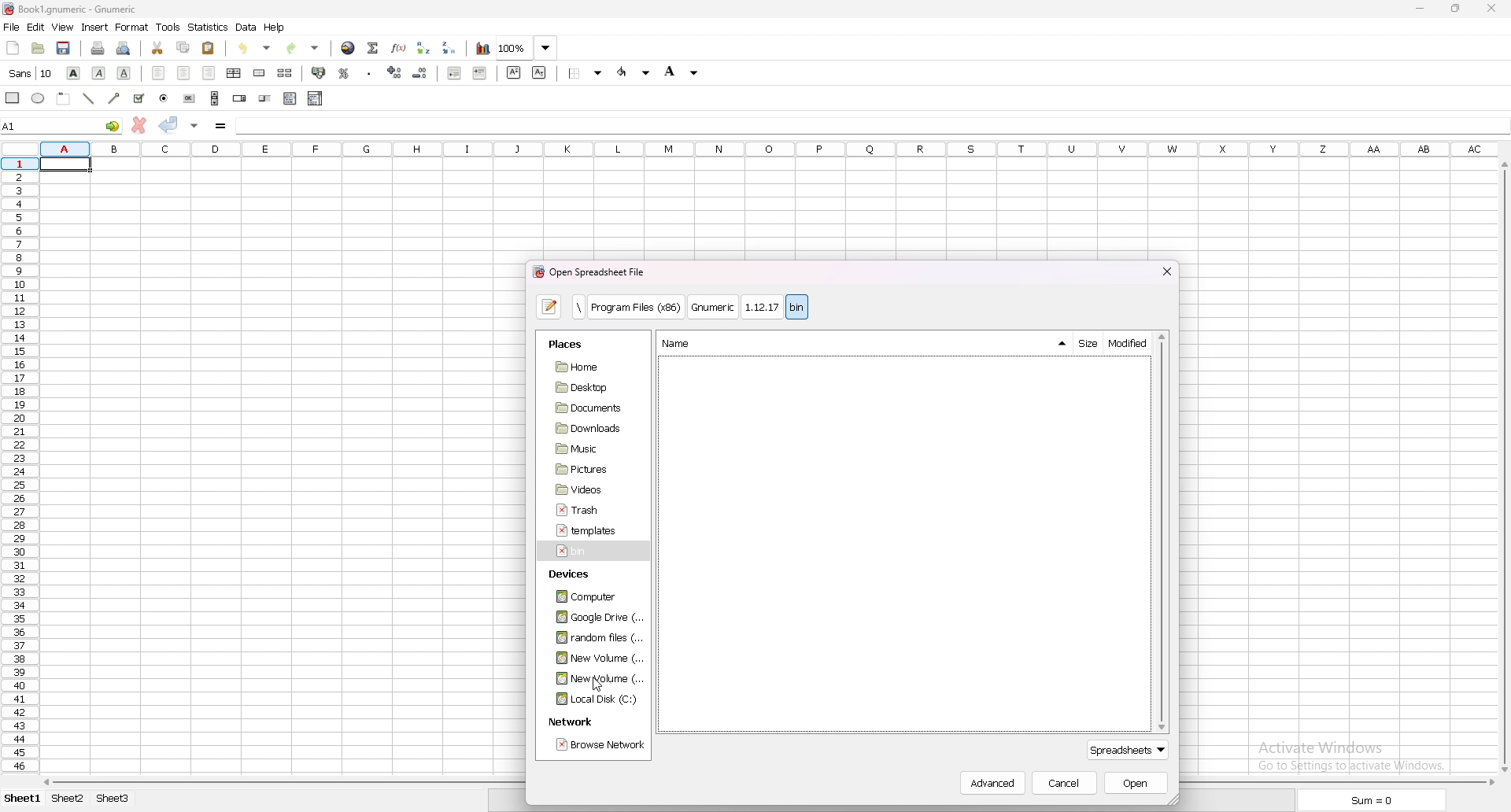 The height and width of the screenshot is (812, 1511). I want to click on music, so click(585, 448).